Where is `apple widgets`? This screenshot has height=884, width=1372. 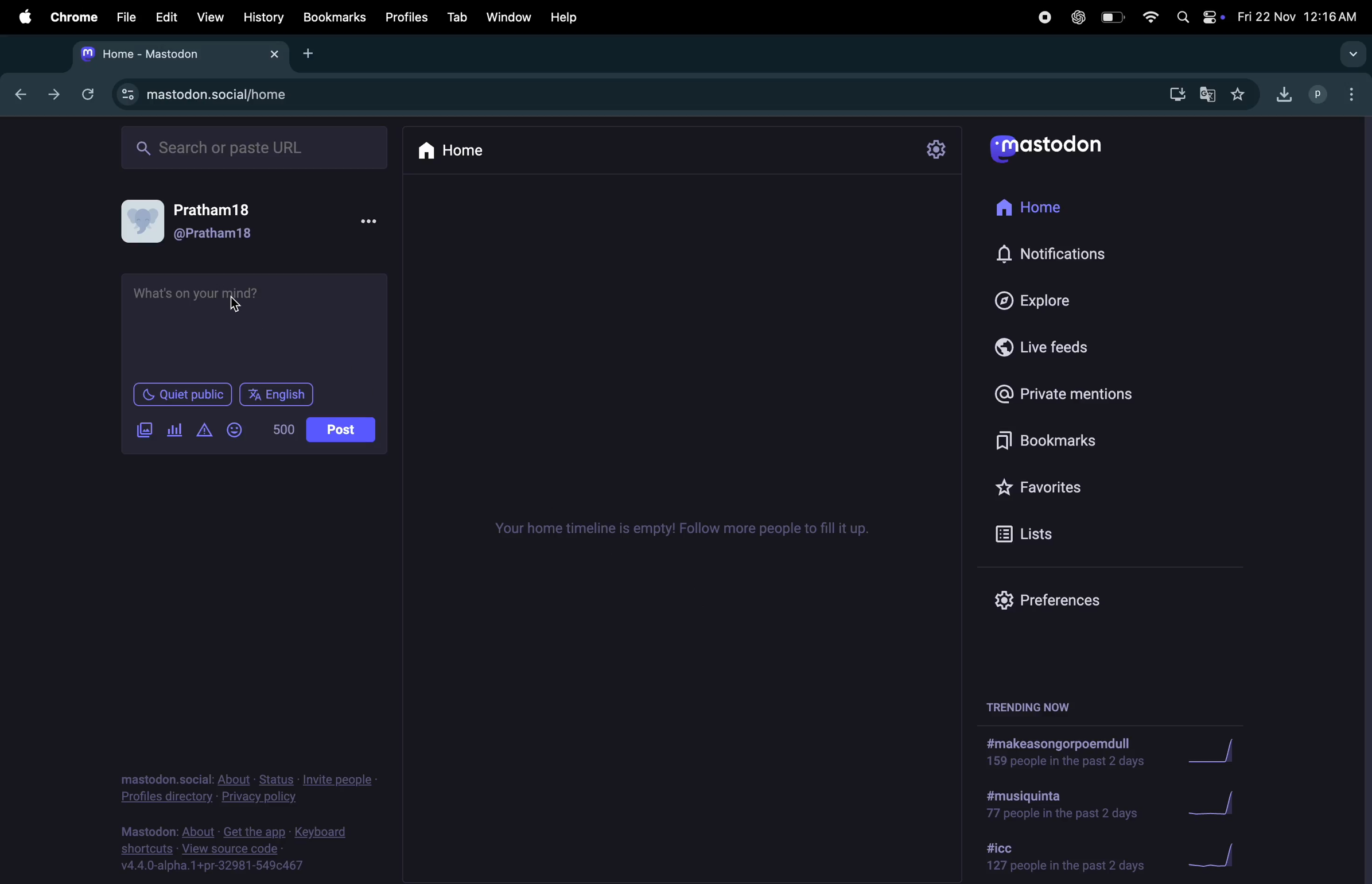 apple widgets is located at coordinates (1211, 18).